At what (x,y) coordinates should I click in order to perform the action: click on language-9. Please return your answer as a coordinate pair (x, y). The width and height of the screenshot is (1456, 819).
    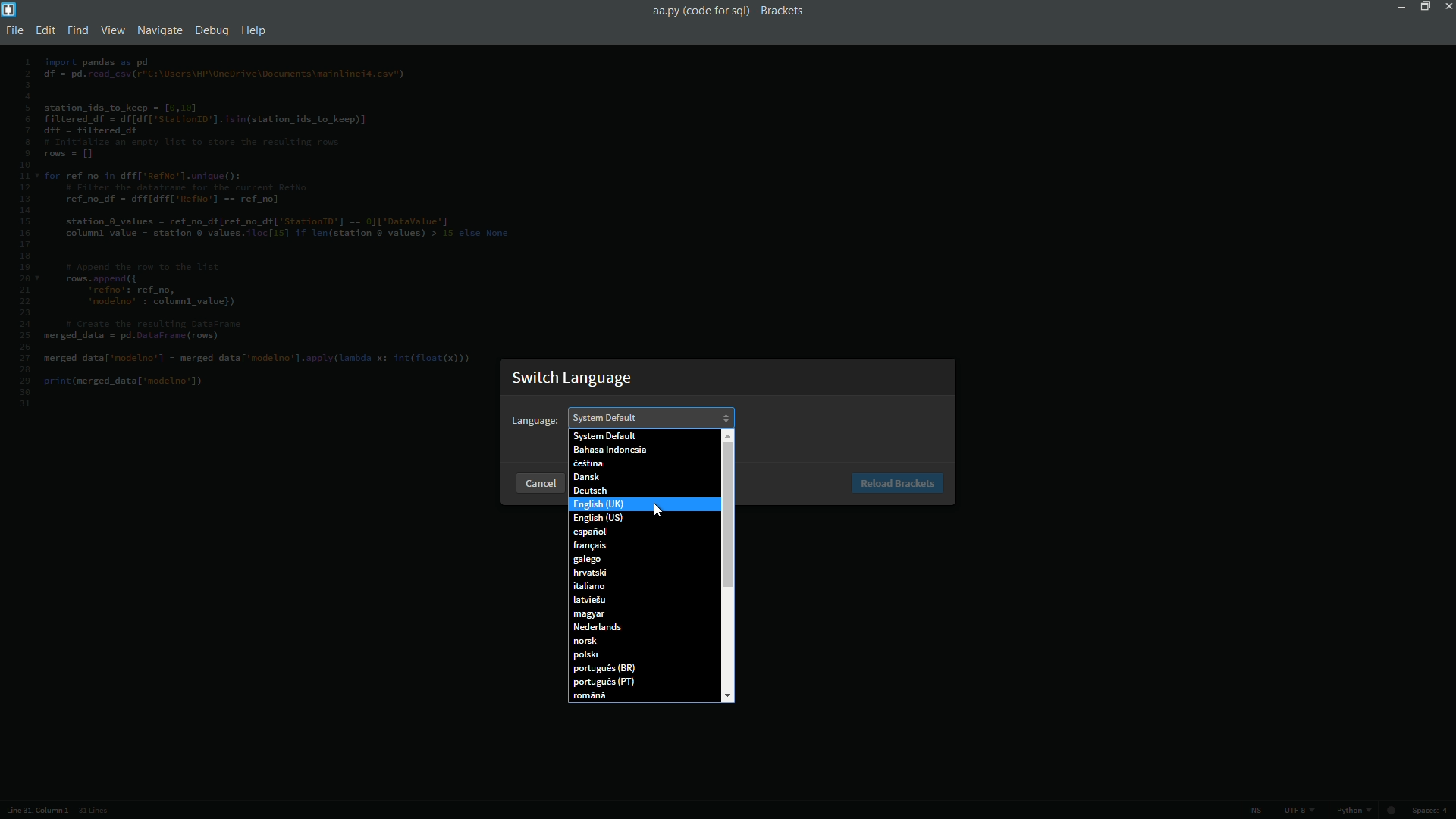
    Looking at the image, I should click on (588, 559).